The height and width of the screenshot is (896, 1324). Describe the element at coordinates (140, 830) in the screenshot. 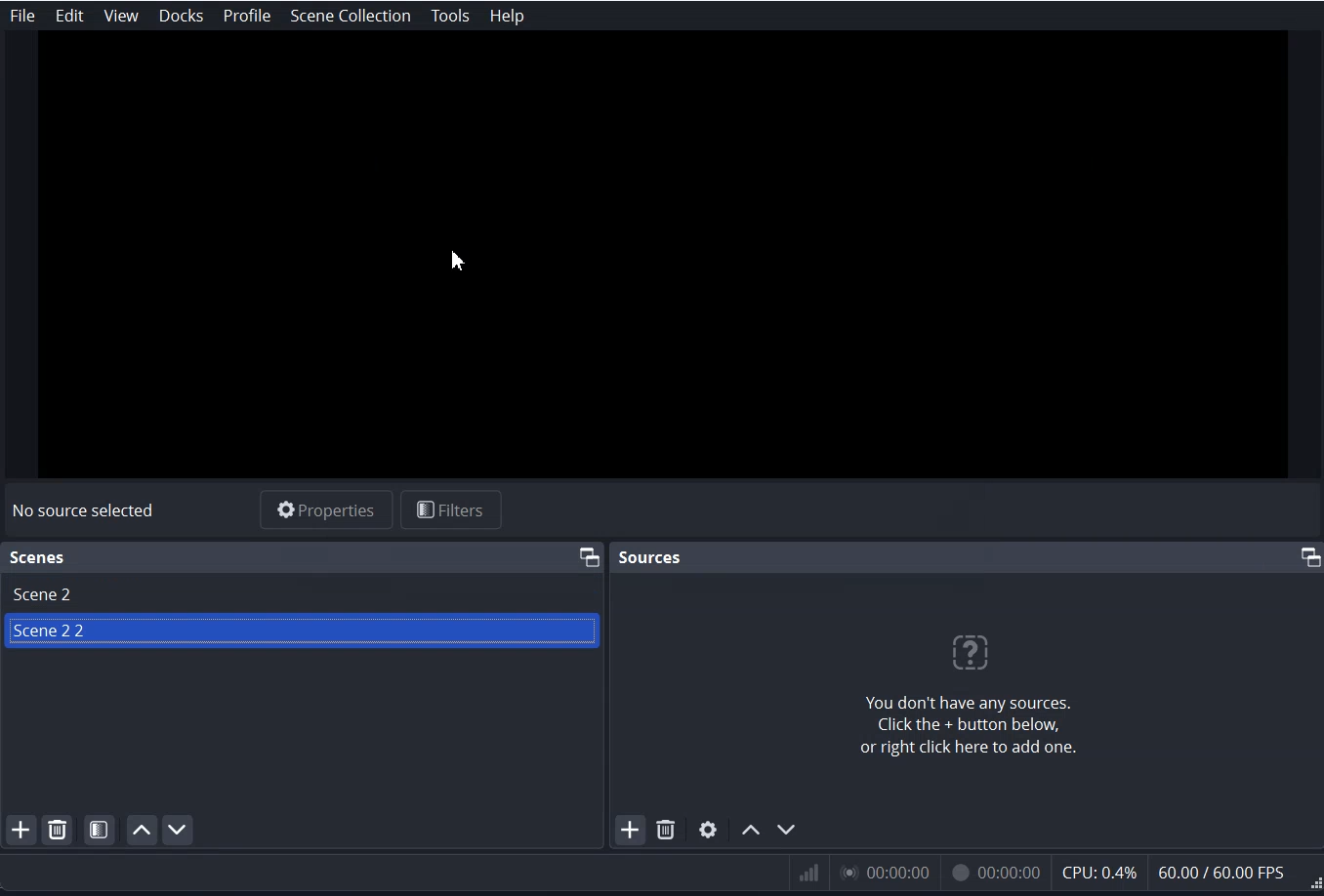

I see `Move scene up` at that location.